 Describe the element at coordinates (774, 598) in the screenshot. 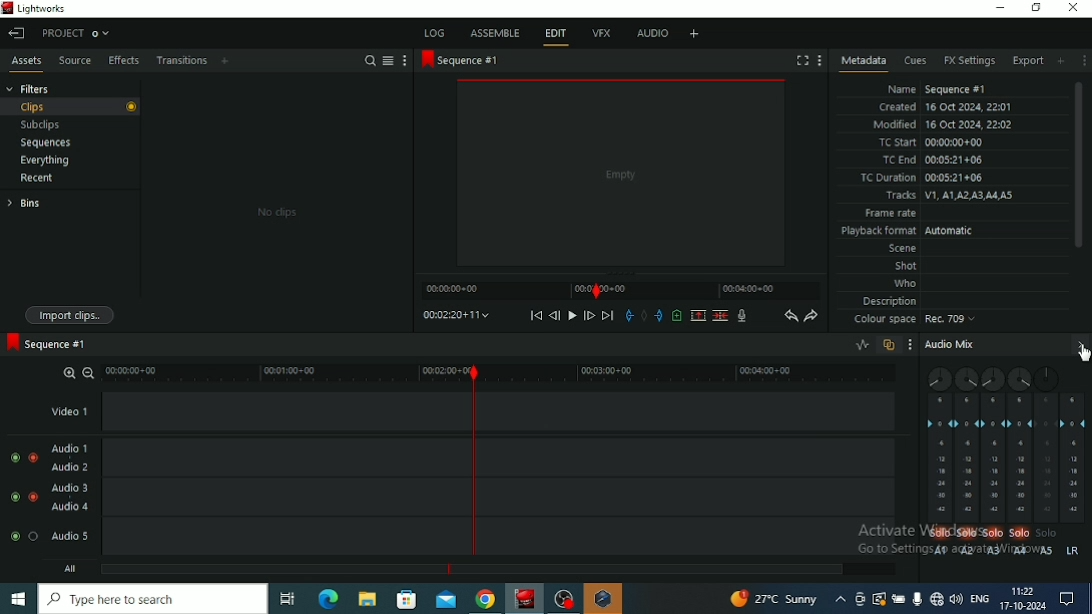

I see `Temperature` at that location.